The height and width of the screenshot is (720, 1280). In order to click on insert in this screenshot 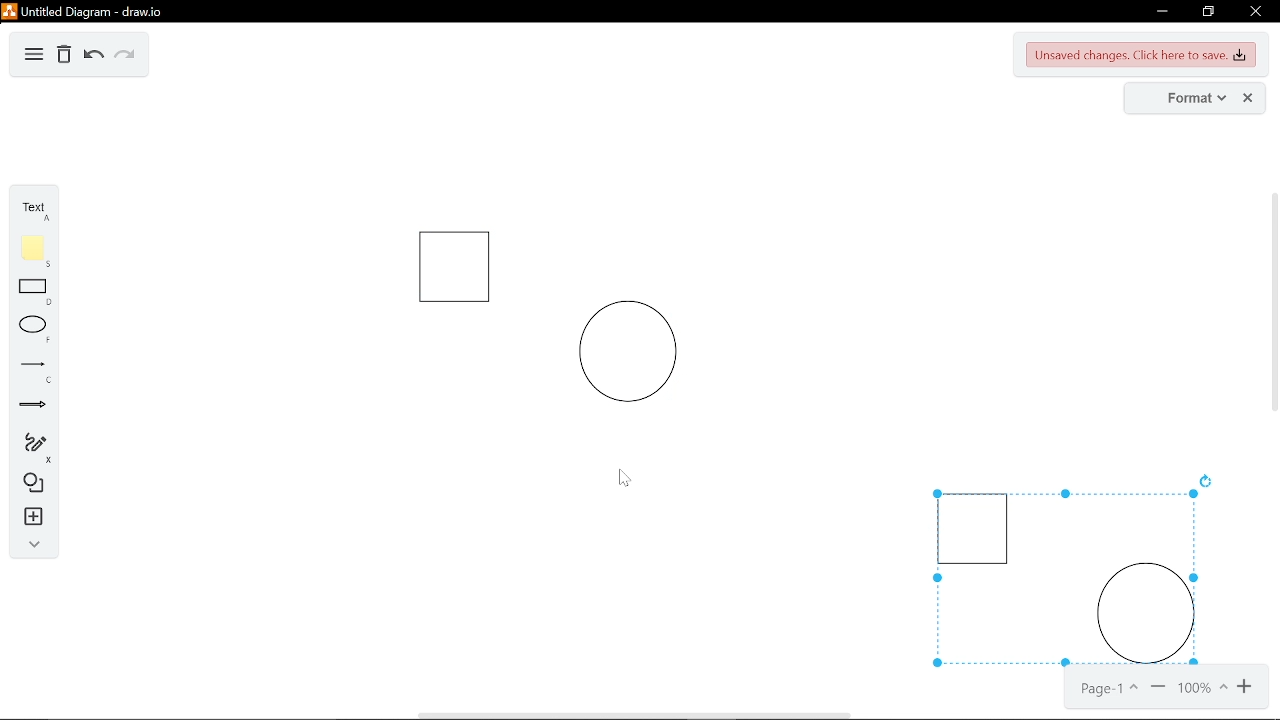, I will do `click(30, 517)`.